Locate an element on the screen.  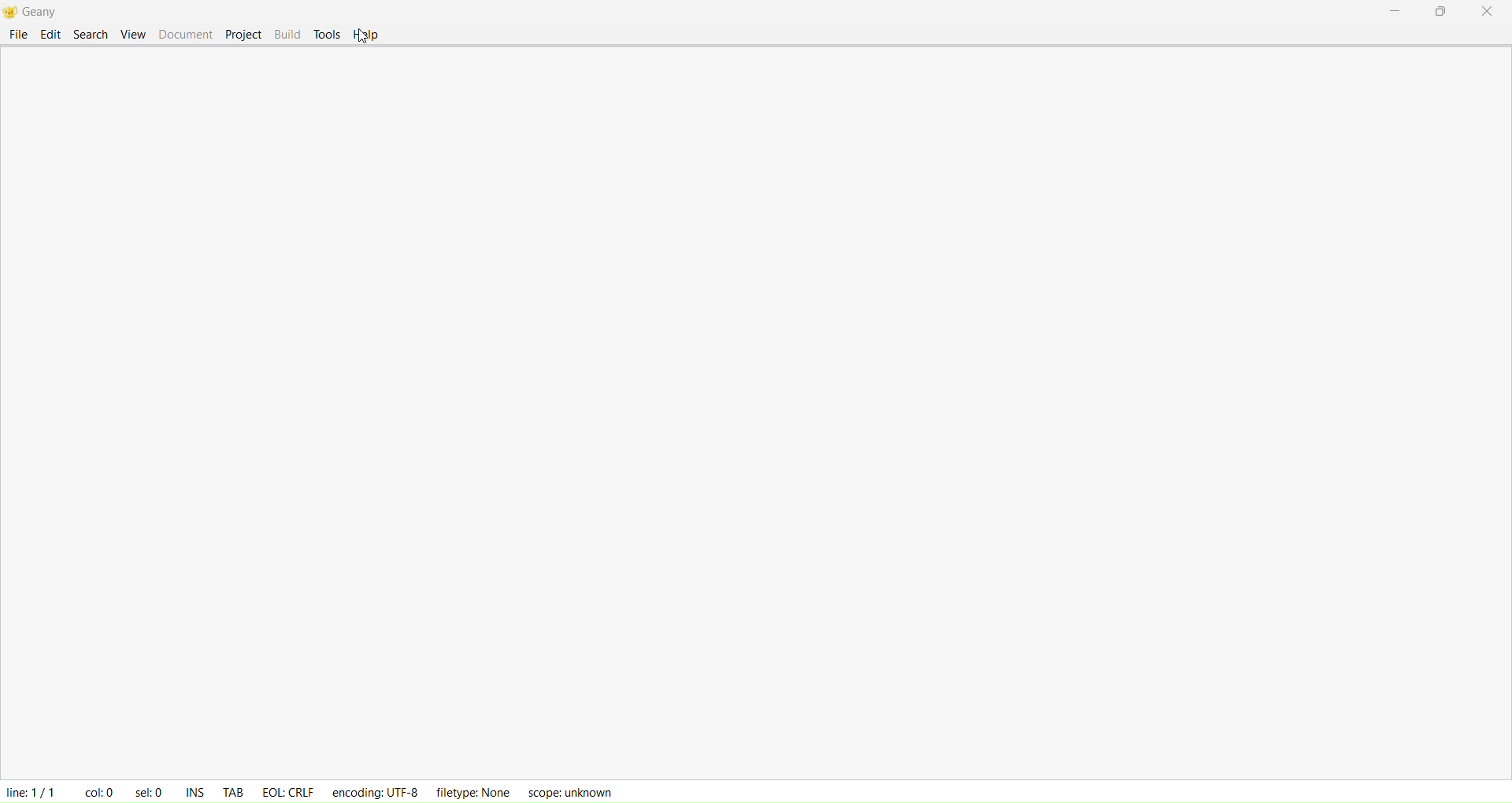
search is located at coordinates (91, 33).